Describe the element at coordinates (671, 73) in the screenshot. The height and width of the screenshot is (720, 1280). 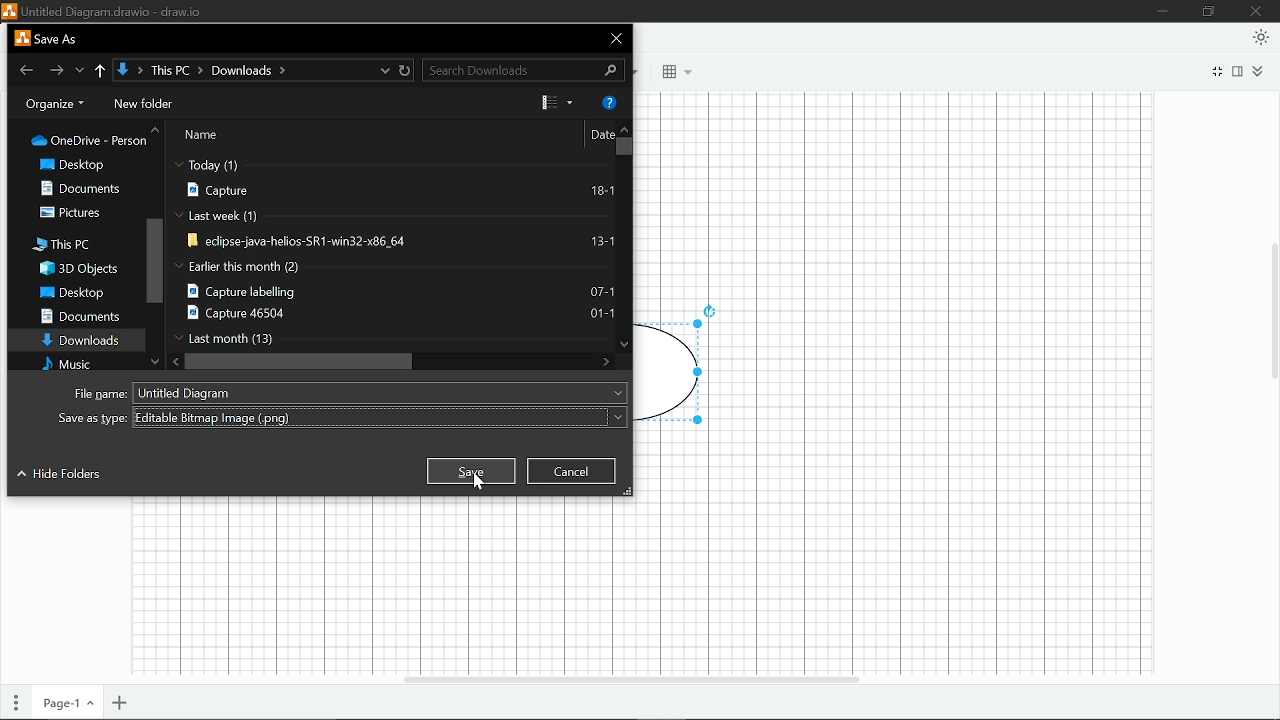
I see `Blocks` at that location.